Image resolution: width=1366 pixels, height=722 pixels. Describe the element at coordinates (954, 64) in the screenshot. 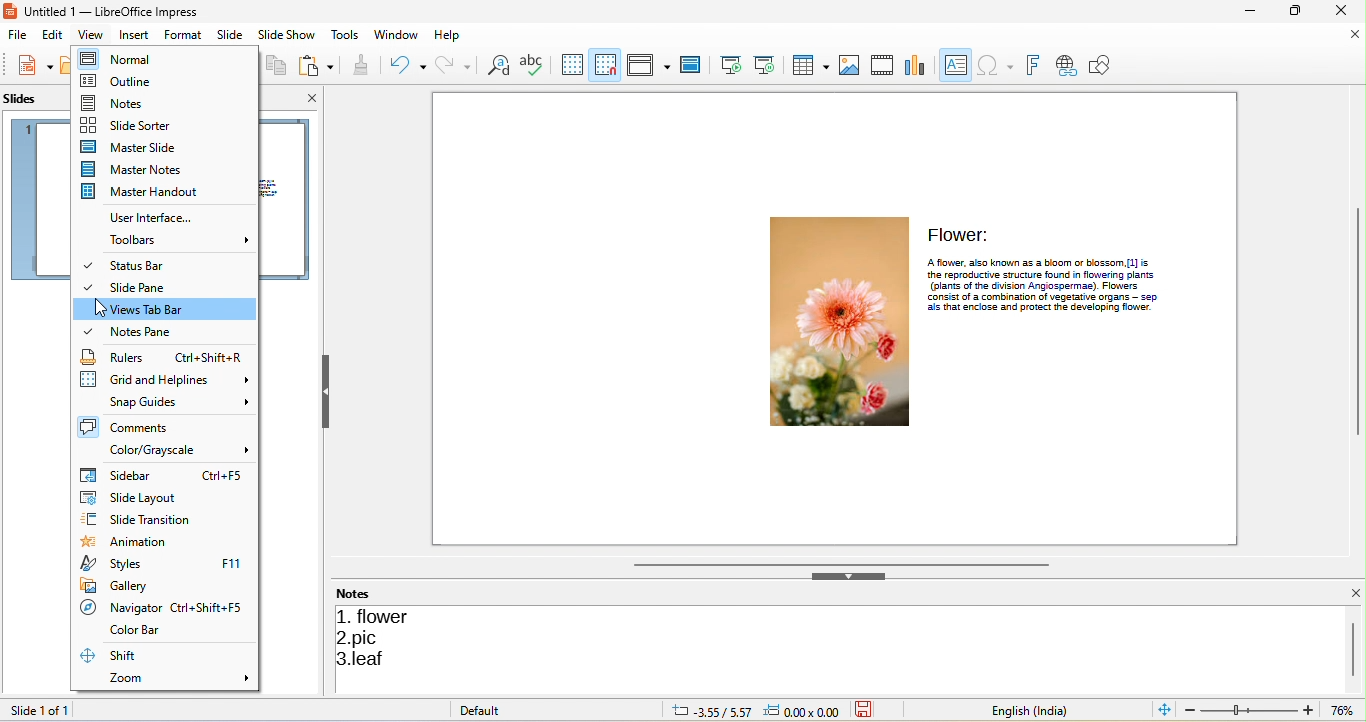

I see `text box` at that location.